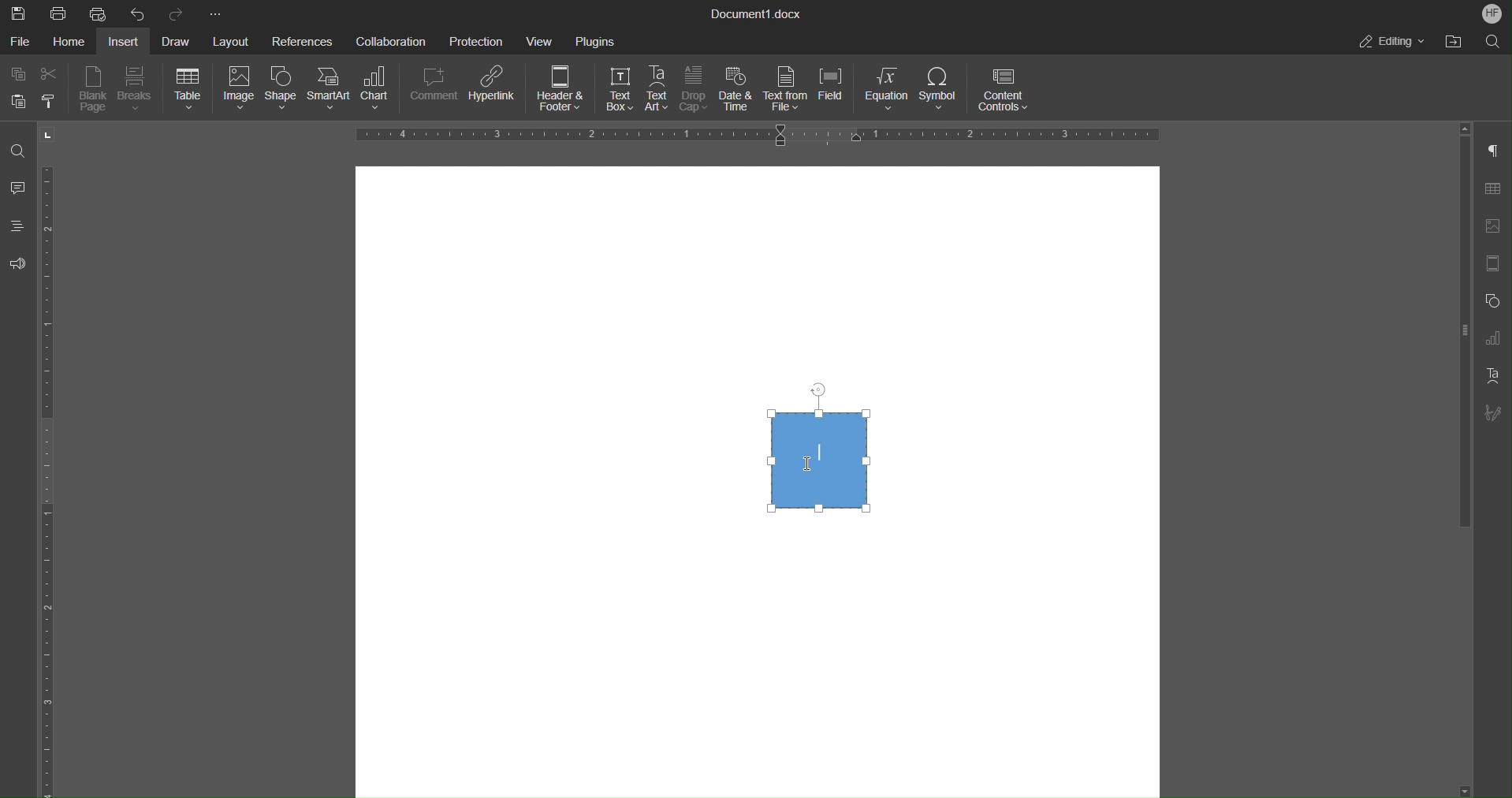 The height and width of the screenshot is (798, 1512). Describe the element at coordinates (1496, 263) in the screenshot. I see `Page Settings` at that location.